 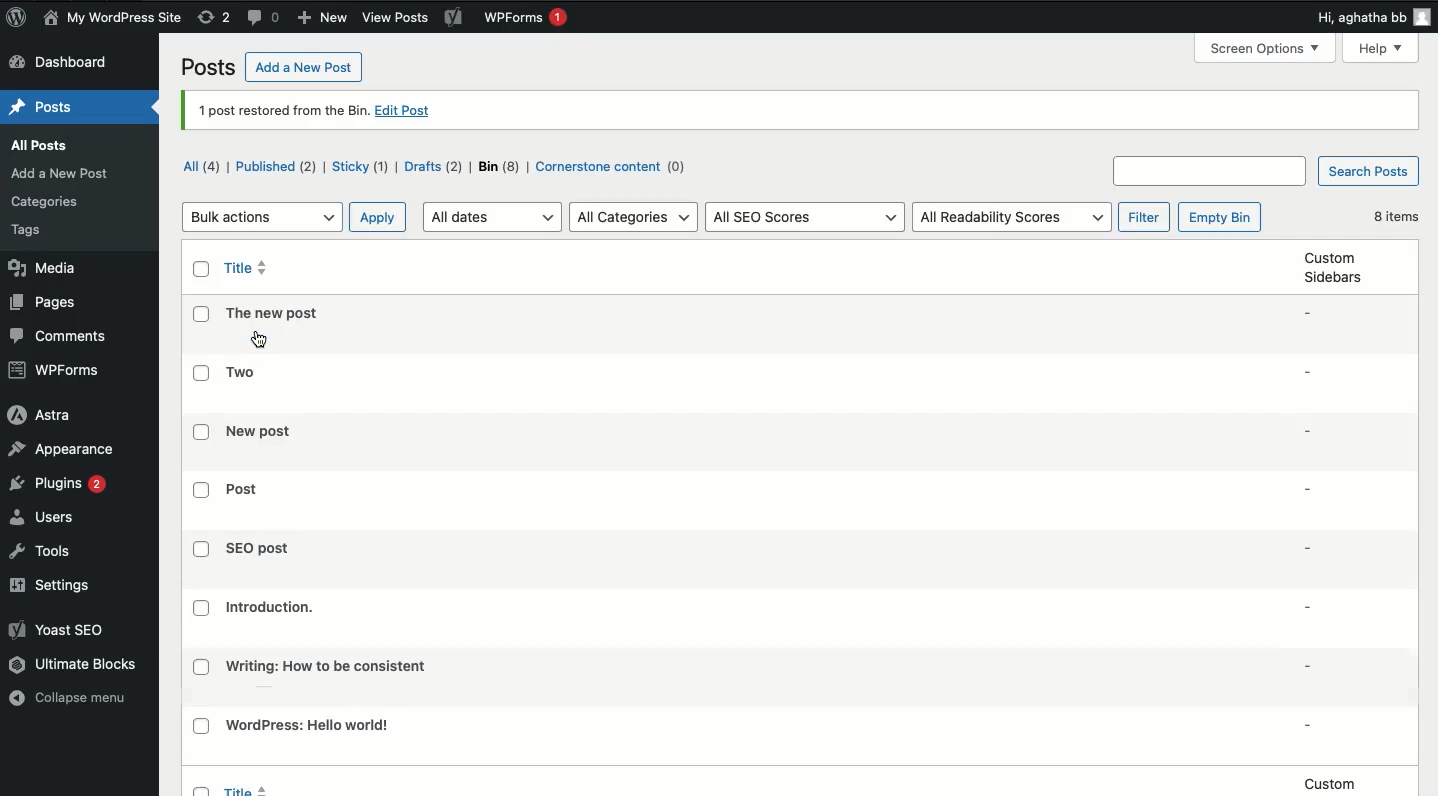 What do you see at coordinates (807, 217) in the screenshot?
I see `All SEO scores` at bounding box center [807, 217].